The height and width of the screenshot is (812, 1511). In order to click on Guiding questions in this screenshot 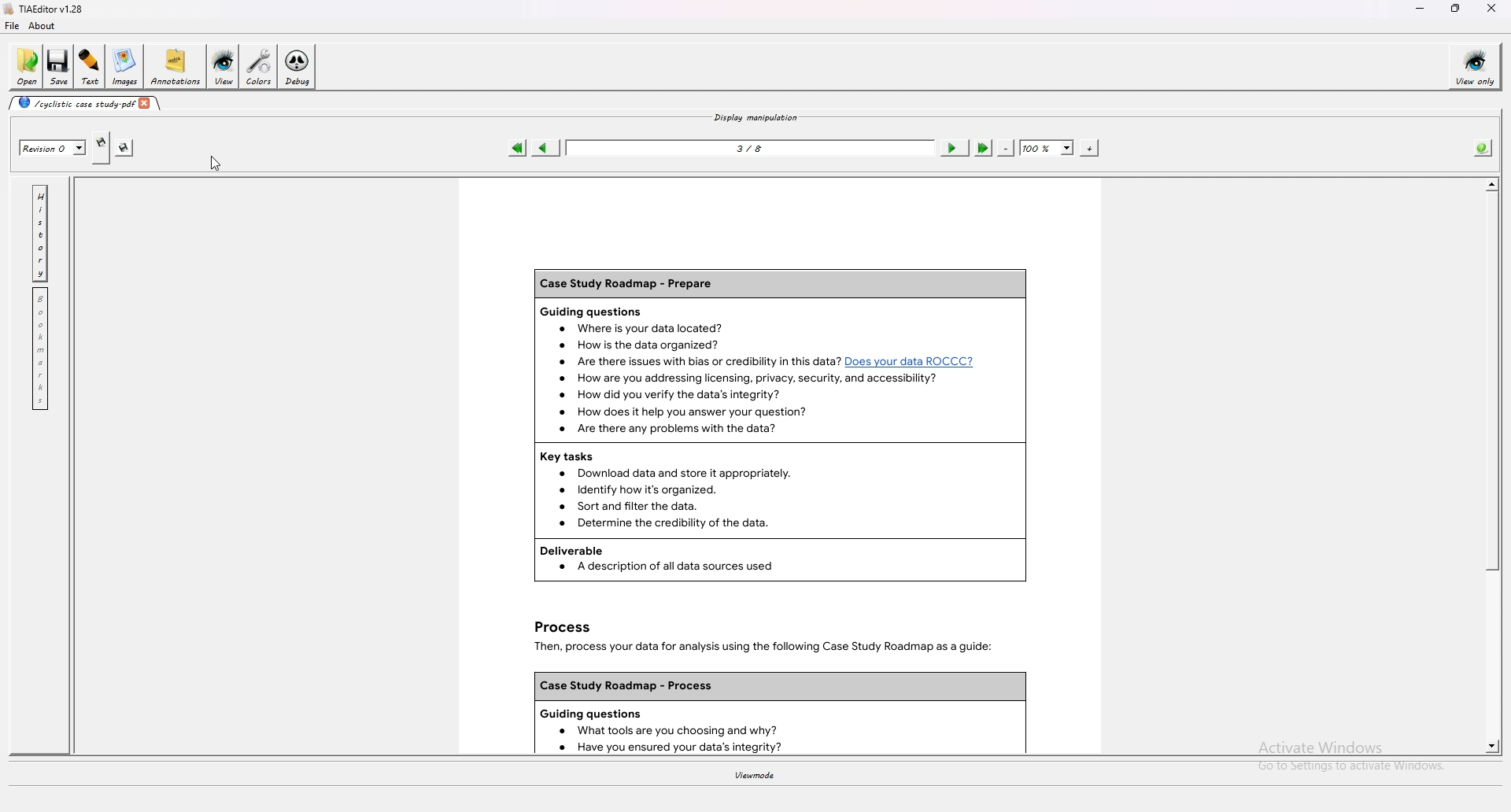, I will do `click(597, 311)`.